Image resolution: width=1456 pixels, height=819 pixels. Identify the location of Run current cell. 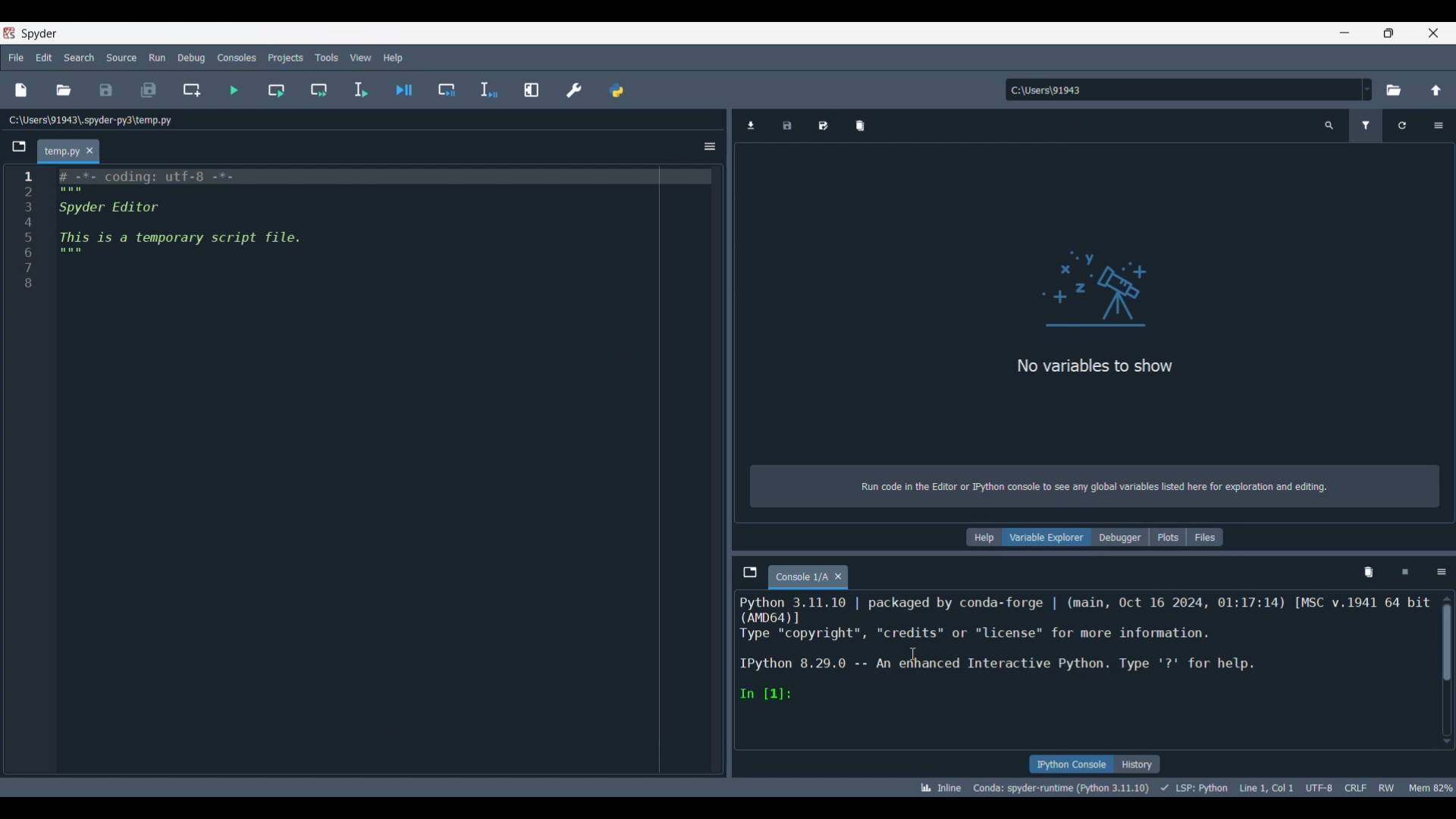
(277, 89).